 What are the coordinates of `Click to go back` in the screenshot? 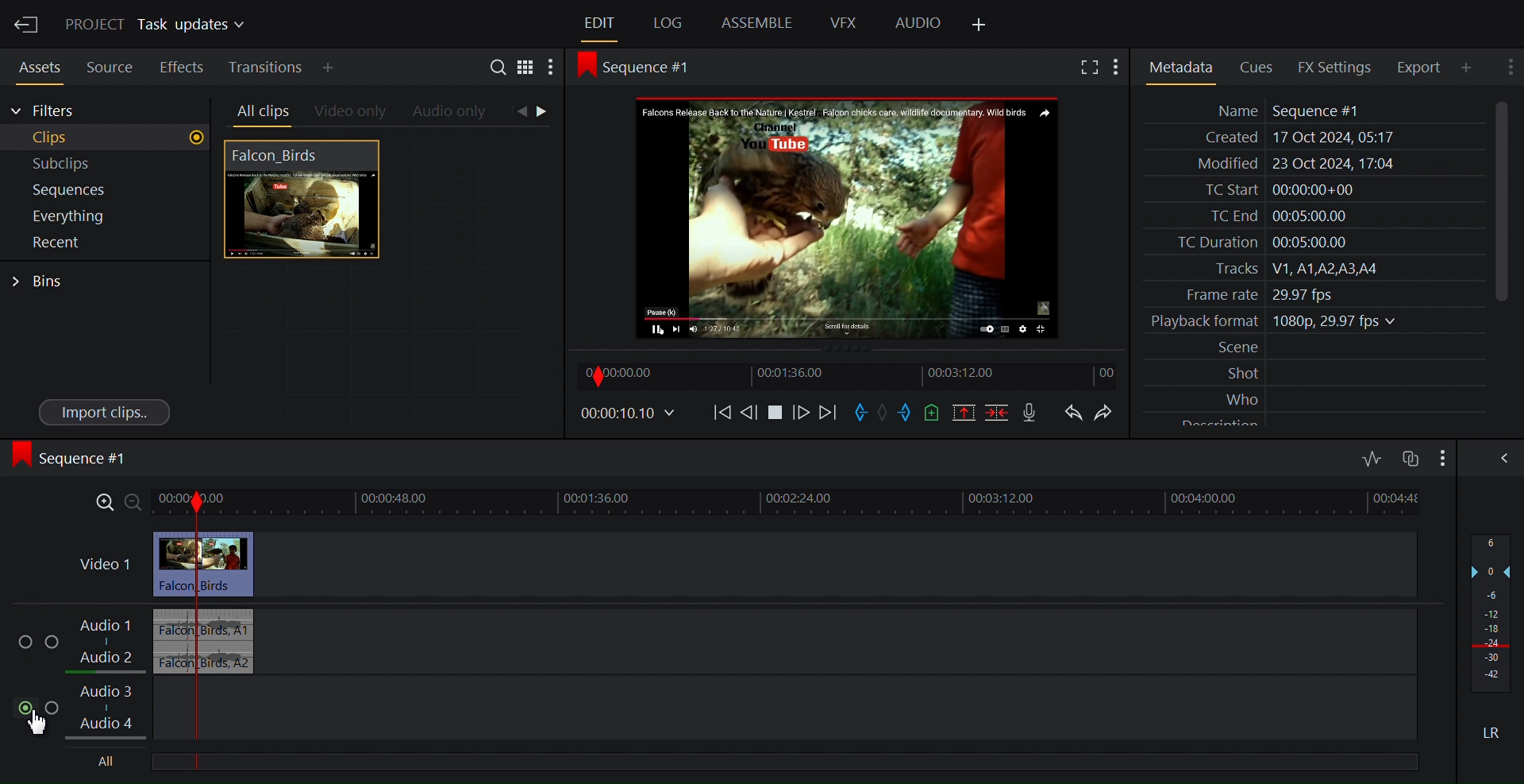 It's located at (518, 112).